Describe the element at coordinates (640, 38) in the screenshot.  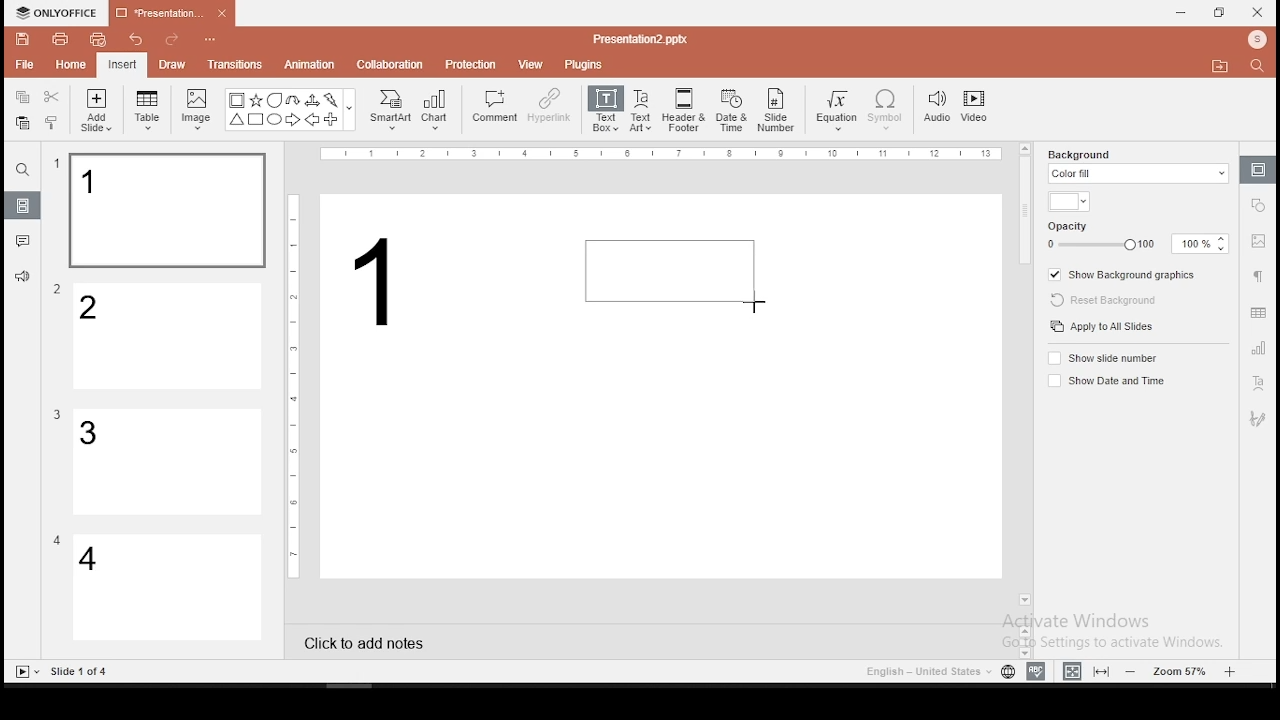
I see `` at that location.